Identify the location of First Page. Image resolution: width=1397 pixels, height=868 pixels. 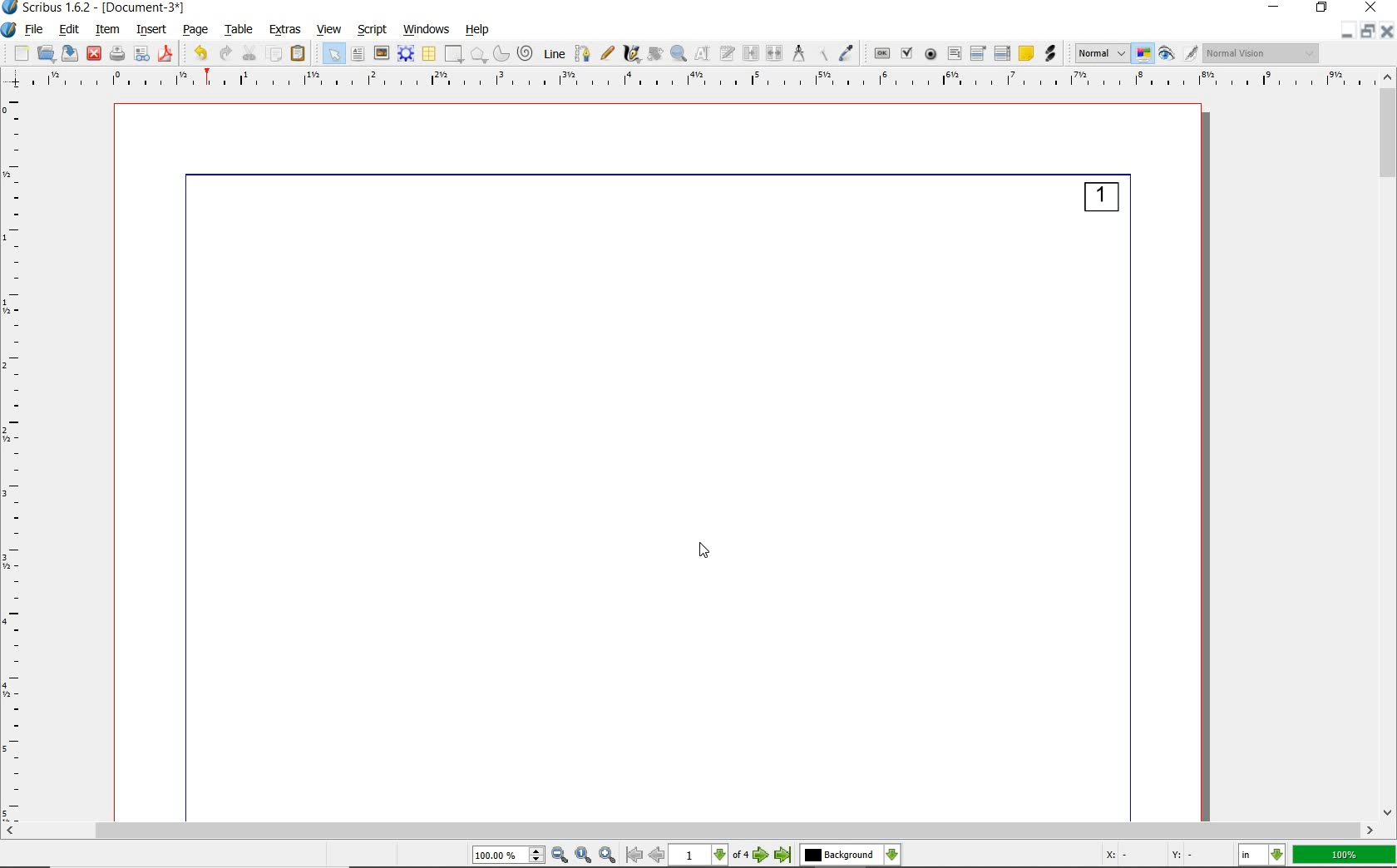
(632, 856).